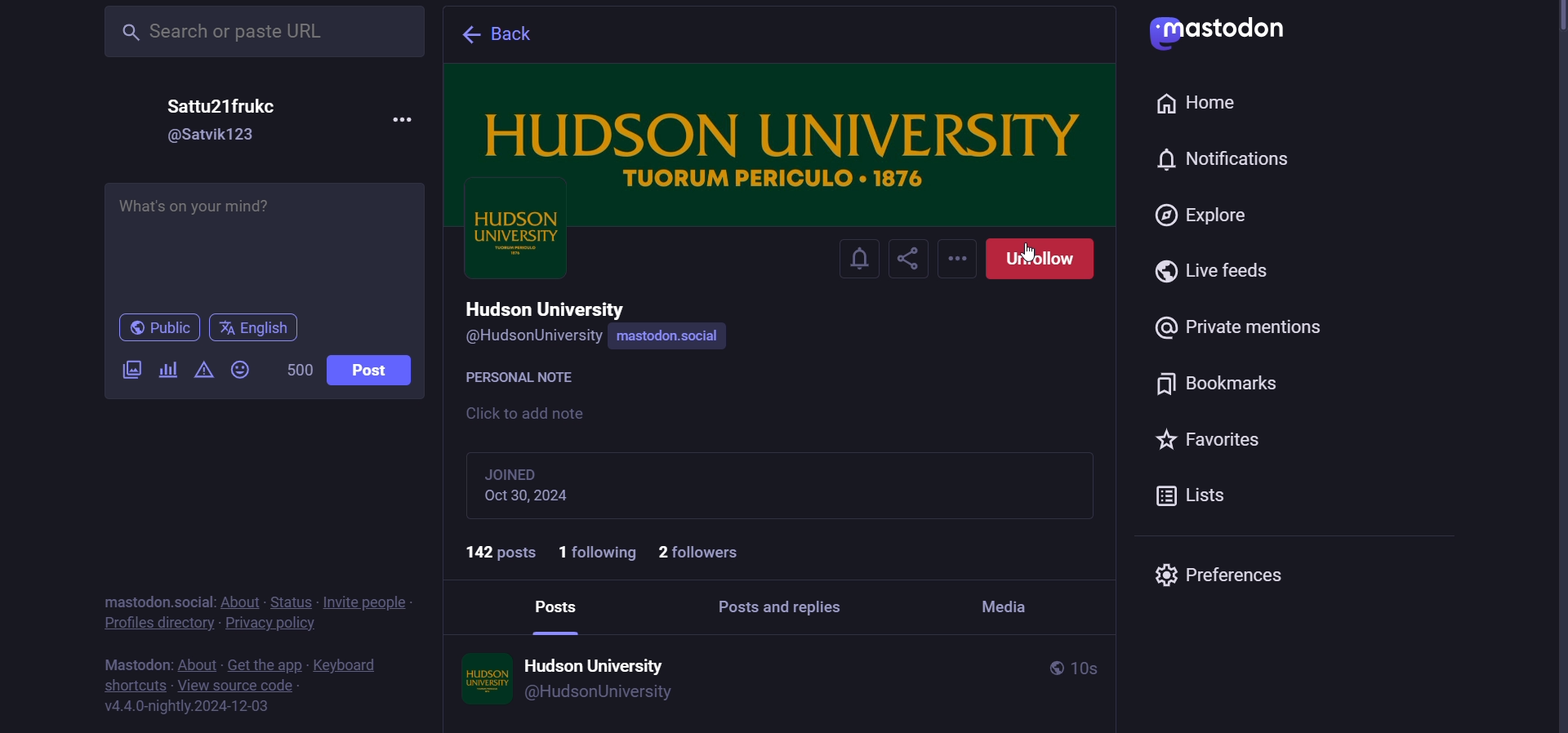 This screenshot has height=733, width=1568. What do you see at coordinates (131, 371) in the screenshot?
I see `images/videos` at bounding box center [131, 371].